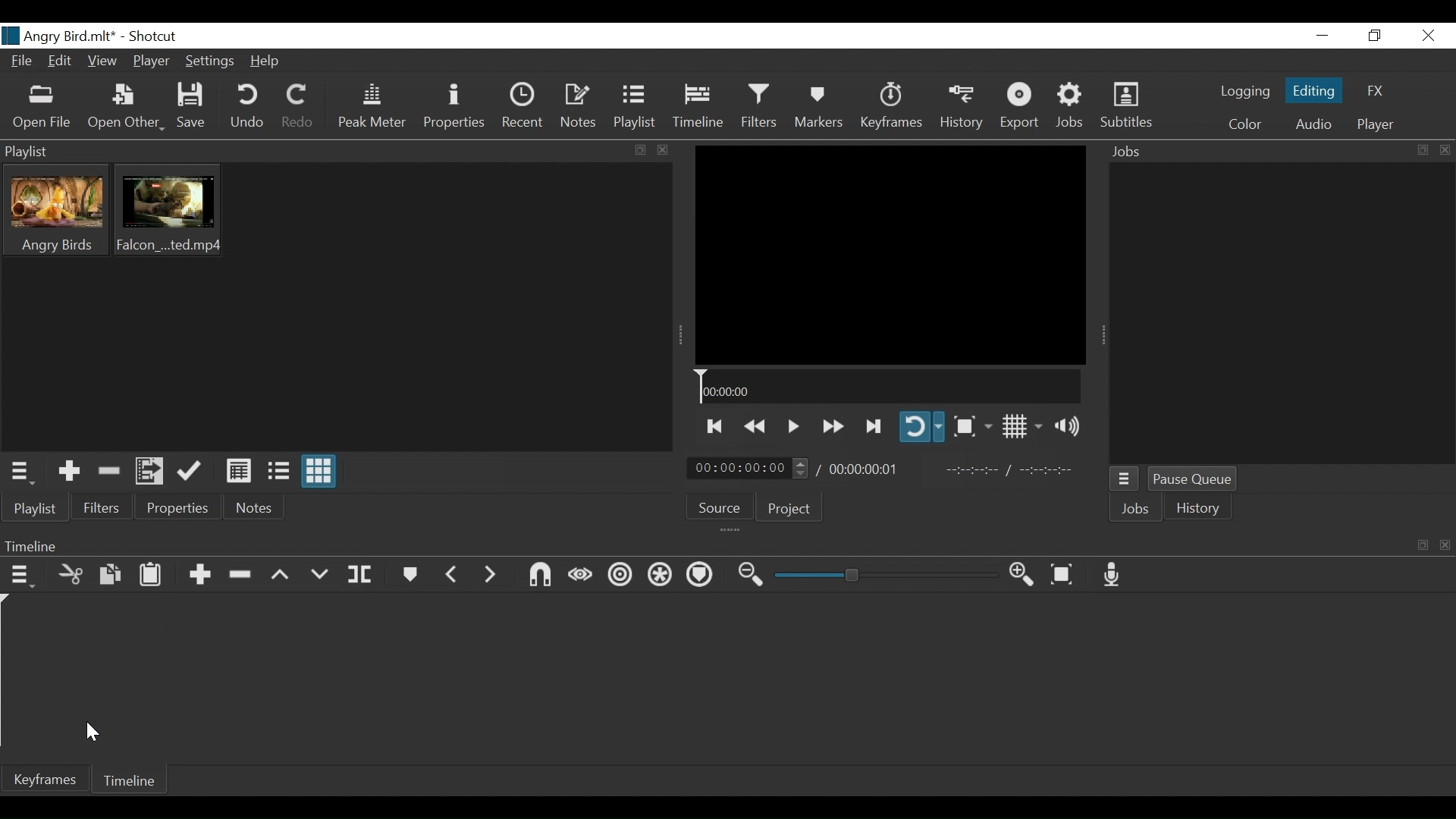 This screenshot has width=1456, height=819. I want to click on , so click(699, 107).